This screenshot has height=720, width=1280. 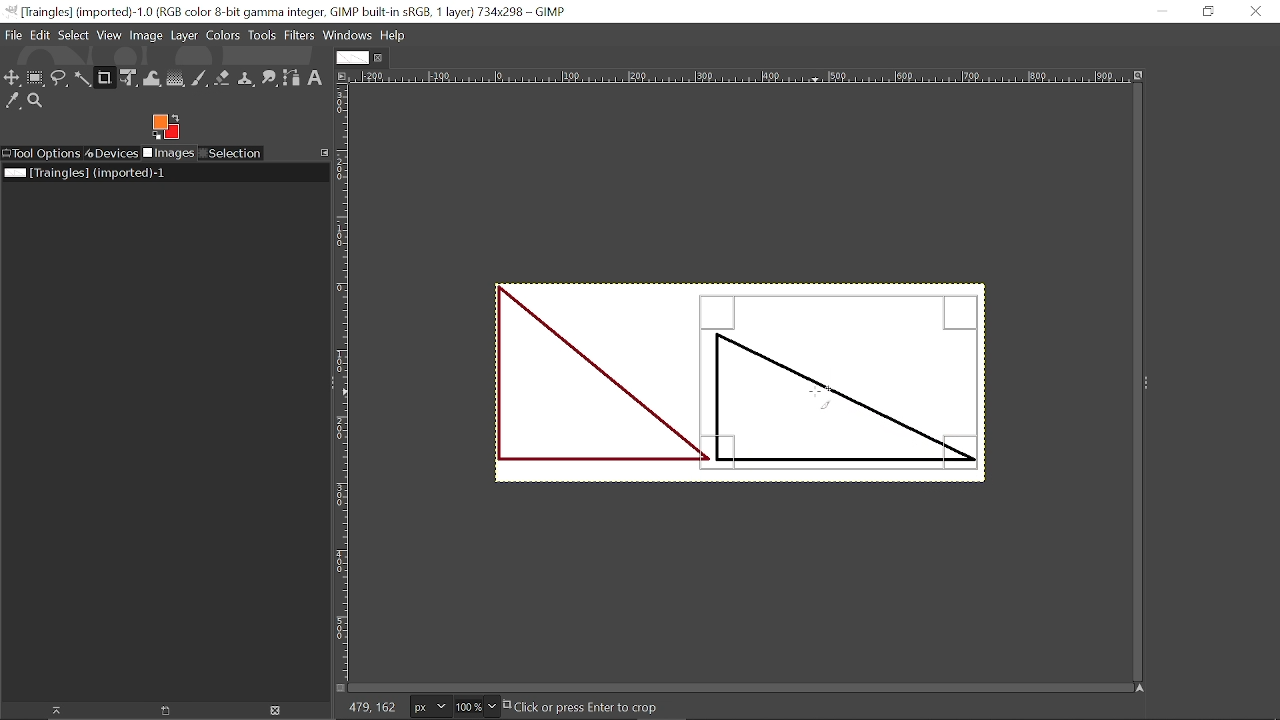 What do you see at coordinates (168, 153) in the screenshot?
I see `Images` at bounding box center [168, 153].